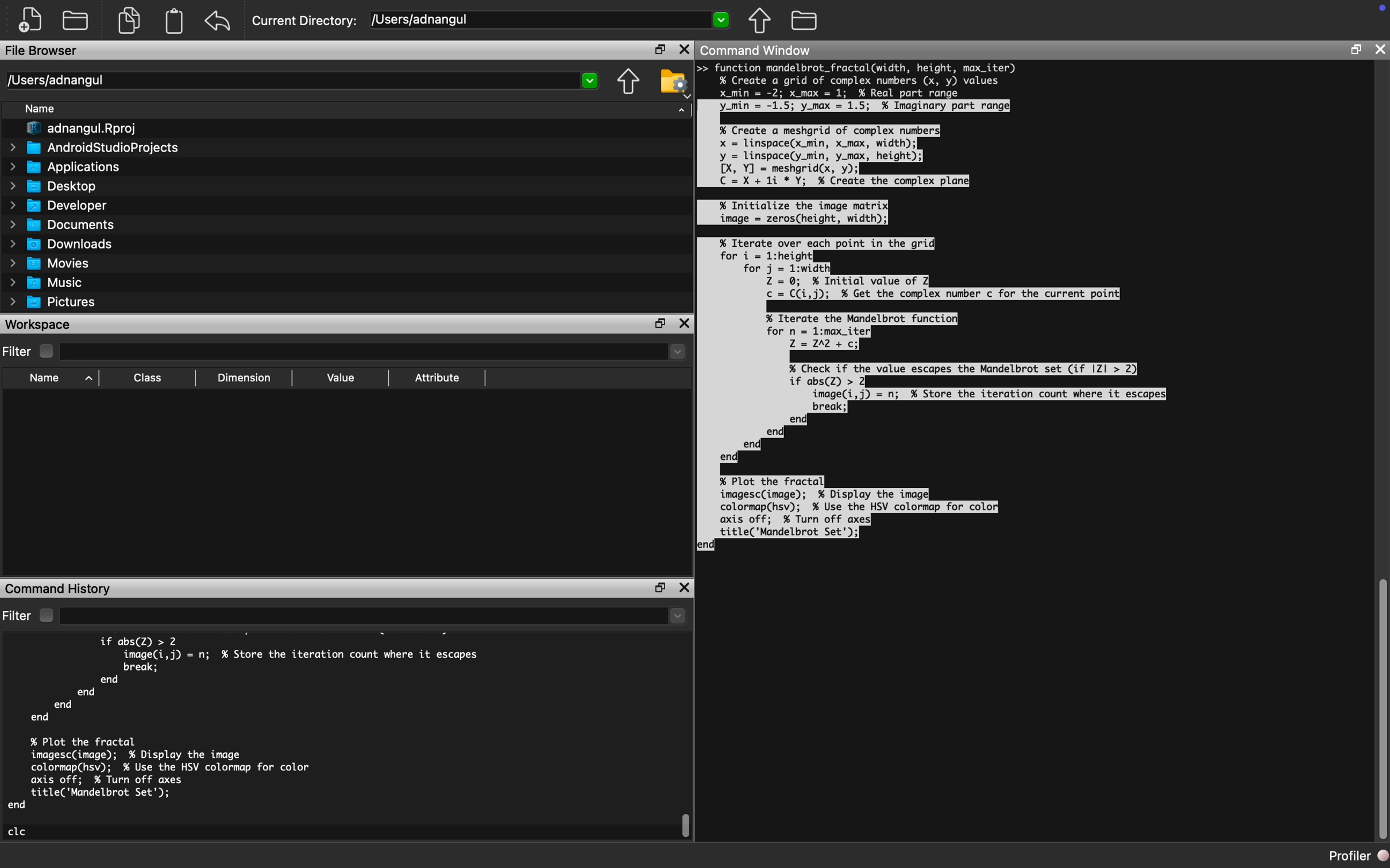 The width and height of the screenshot is (1390, 868). Describe the element at coordinates (41, 52) in the screenshot. I see `File Browser` at that location.